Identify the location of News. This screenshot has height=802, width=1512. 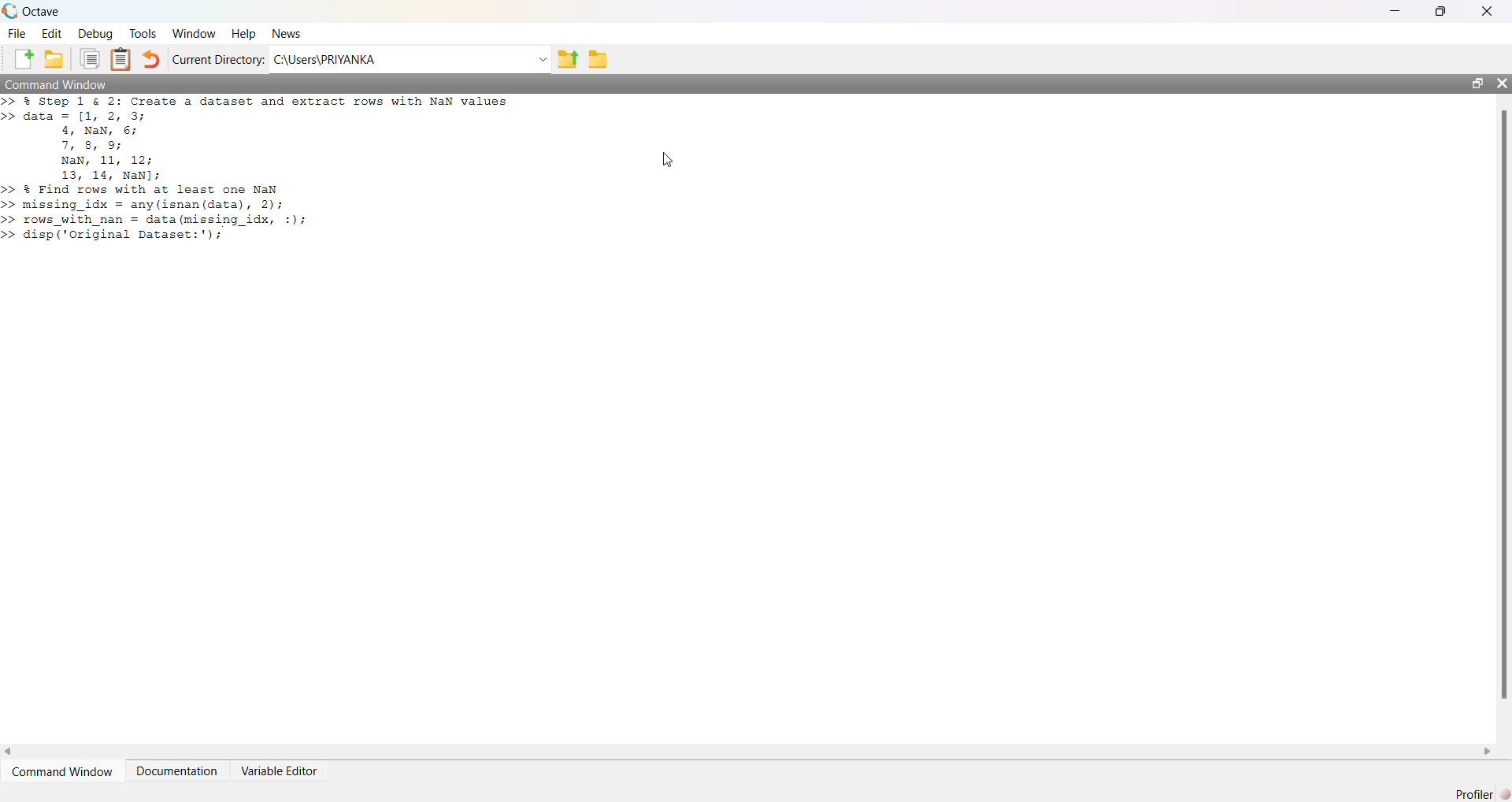
(288, 33).